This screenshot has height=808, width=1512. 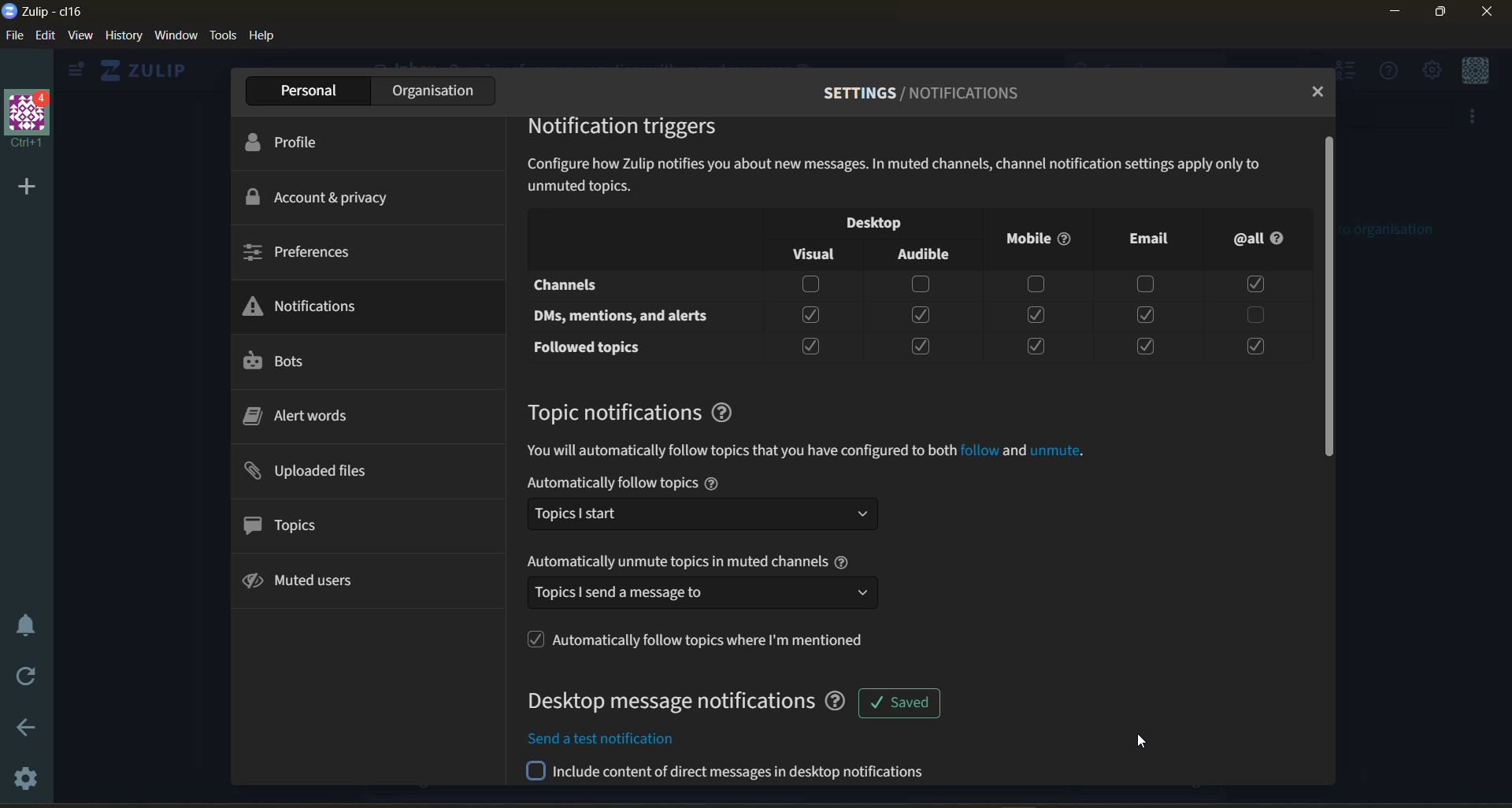 I want to click on You will automatically follow topics that you have configured to both follow and unmute., so click(x=819, y=450).